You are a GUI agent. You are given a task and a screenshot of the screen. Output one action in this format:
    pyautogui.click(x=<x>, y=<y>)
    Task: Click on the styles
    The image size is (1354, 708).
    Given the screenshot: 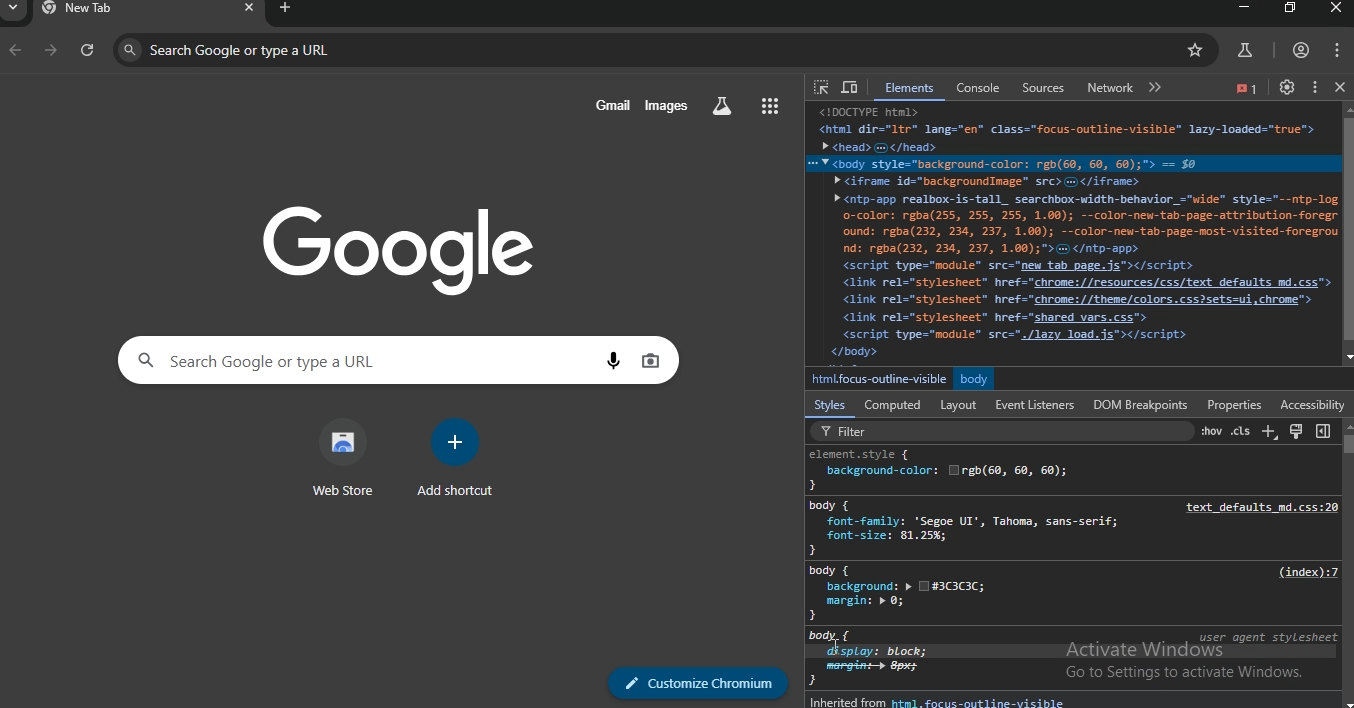 What is the action you would take?
    pyautogui.click(x=831, y=406)
    